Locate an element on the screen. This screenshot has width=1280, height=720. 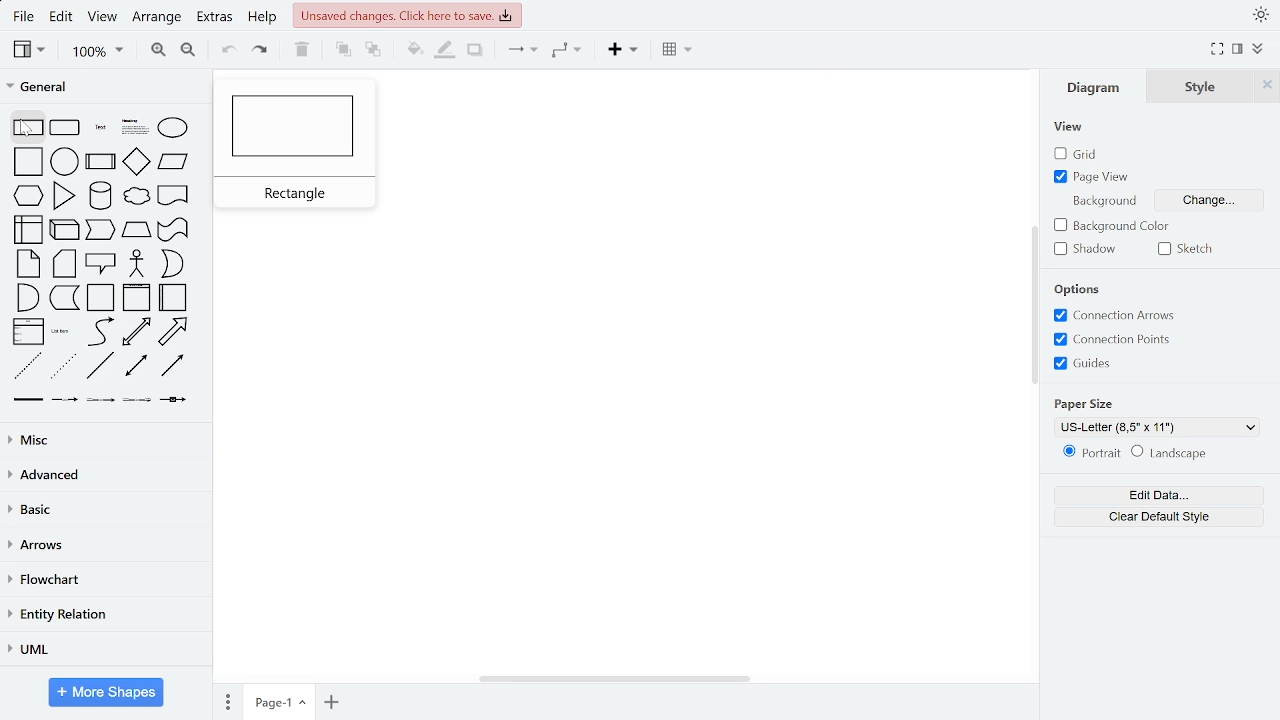
vertical scrollbar is located at coordinates (1034, 304).